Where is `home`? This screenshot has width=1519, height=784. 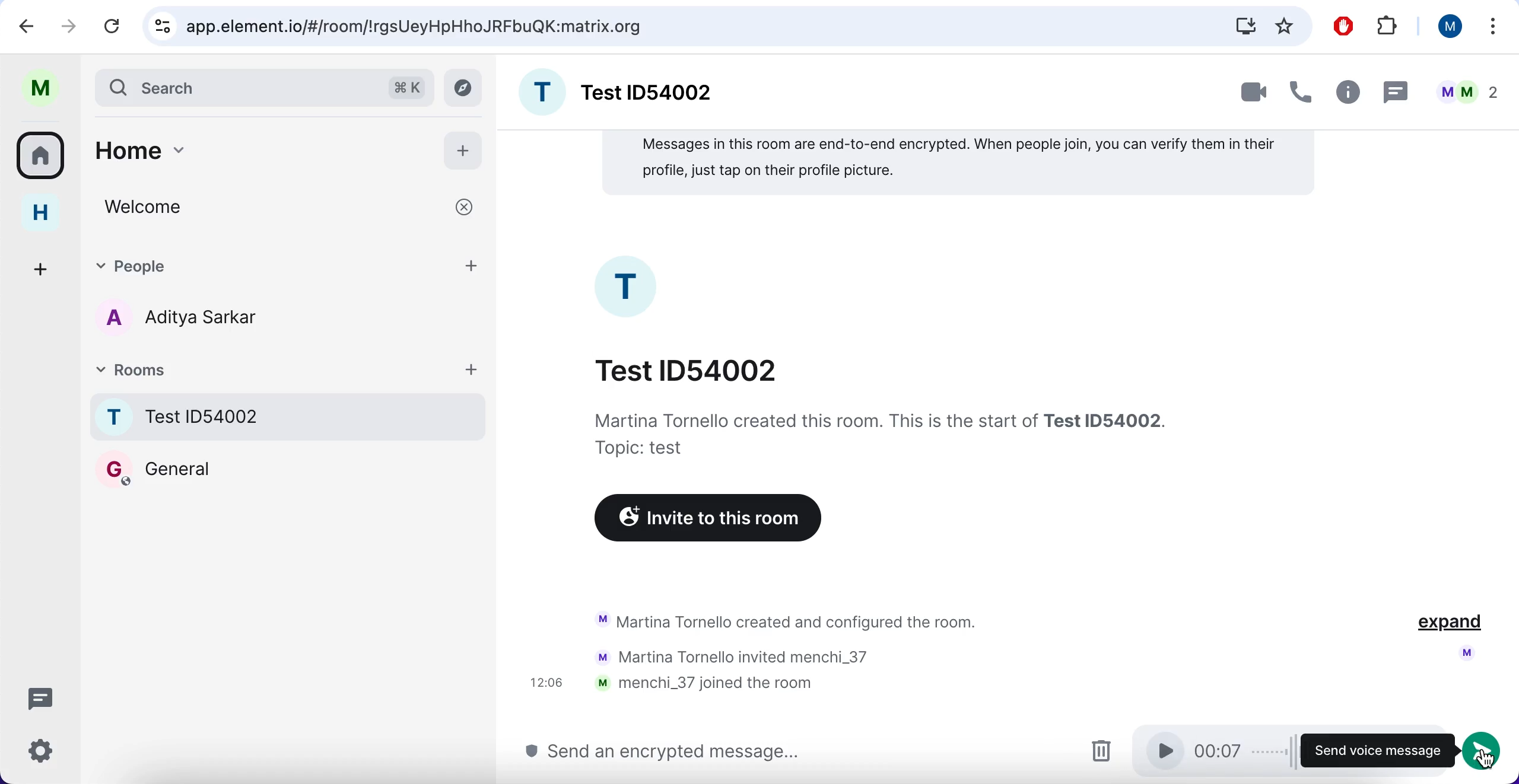 home is located at coordinates (40, 214).